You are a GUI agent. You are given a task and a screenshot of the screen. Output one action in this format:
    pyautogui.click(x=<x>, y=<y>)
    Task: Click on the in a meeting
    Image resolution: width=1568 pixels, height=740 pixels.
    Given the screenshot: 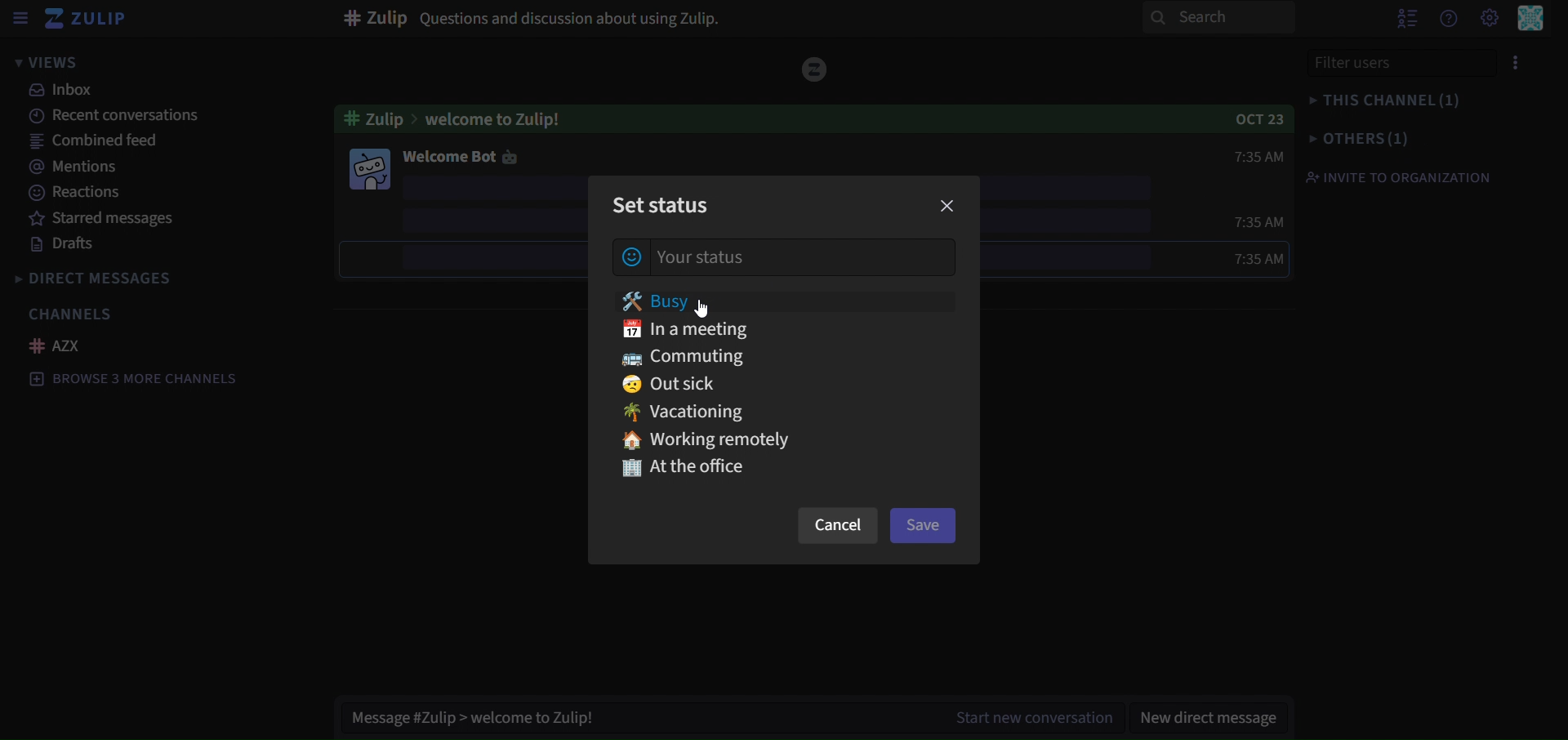 What is the action you would take?
    pyautogui.click(x=697, y=330)
    